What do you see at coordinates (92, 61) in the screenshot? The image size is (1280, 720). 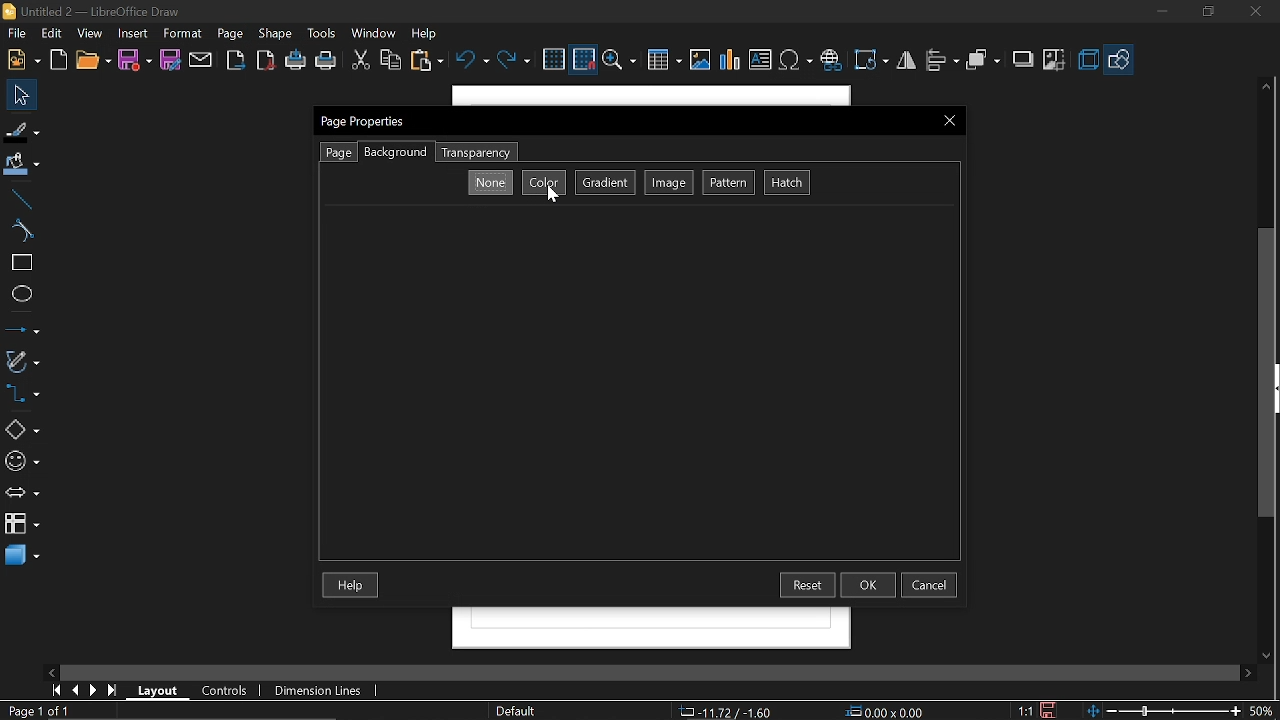 I see `Open` at bounding box center [92, 61].